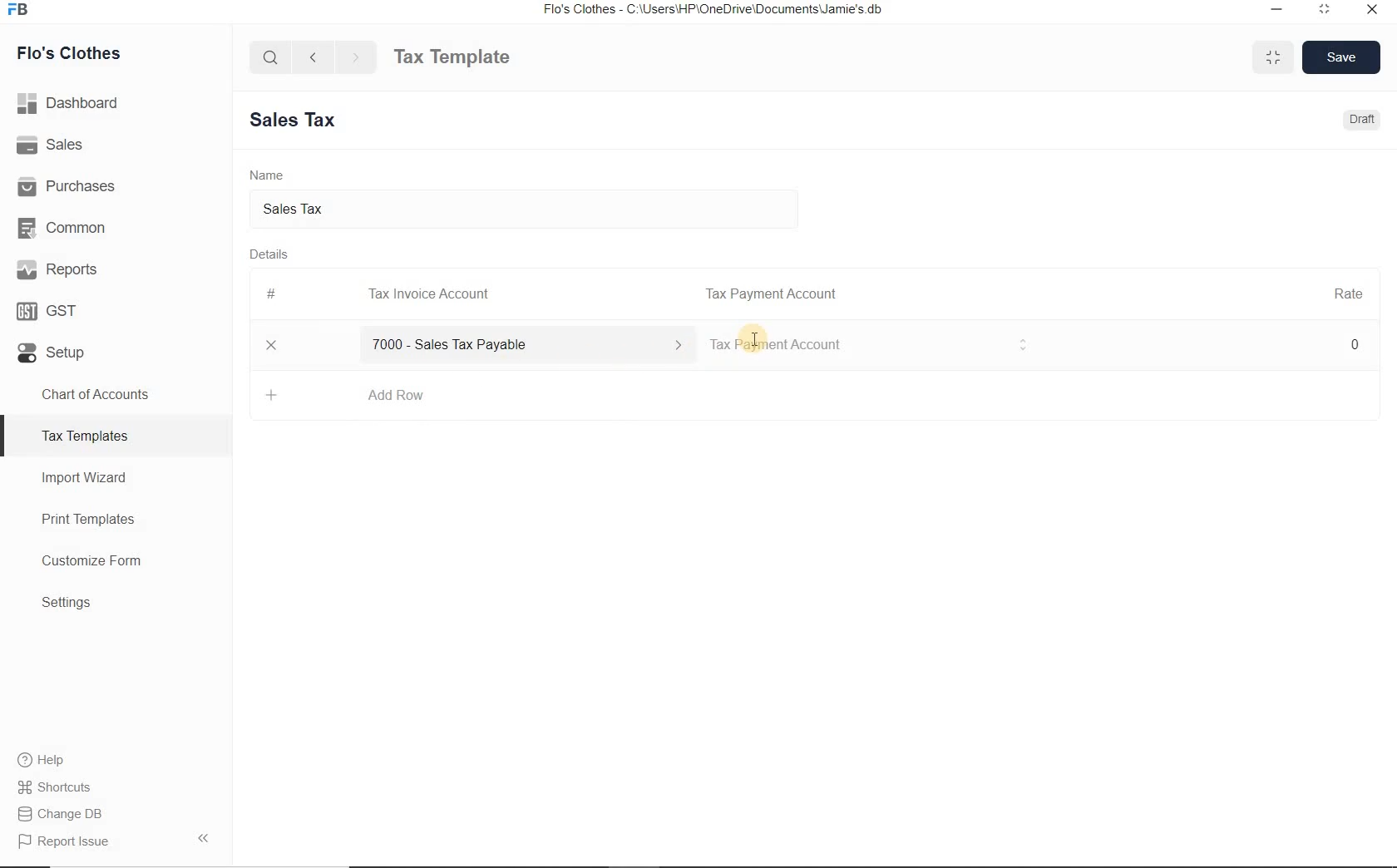  Describe the element at coordinates (271, 56) in the screenshot. I see `Search Bar` at that location.